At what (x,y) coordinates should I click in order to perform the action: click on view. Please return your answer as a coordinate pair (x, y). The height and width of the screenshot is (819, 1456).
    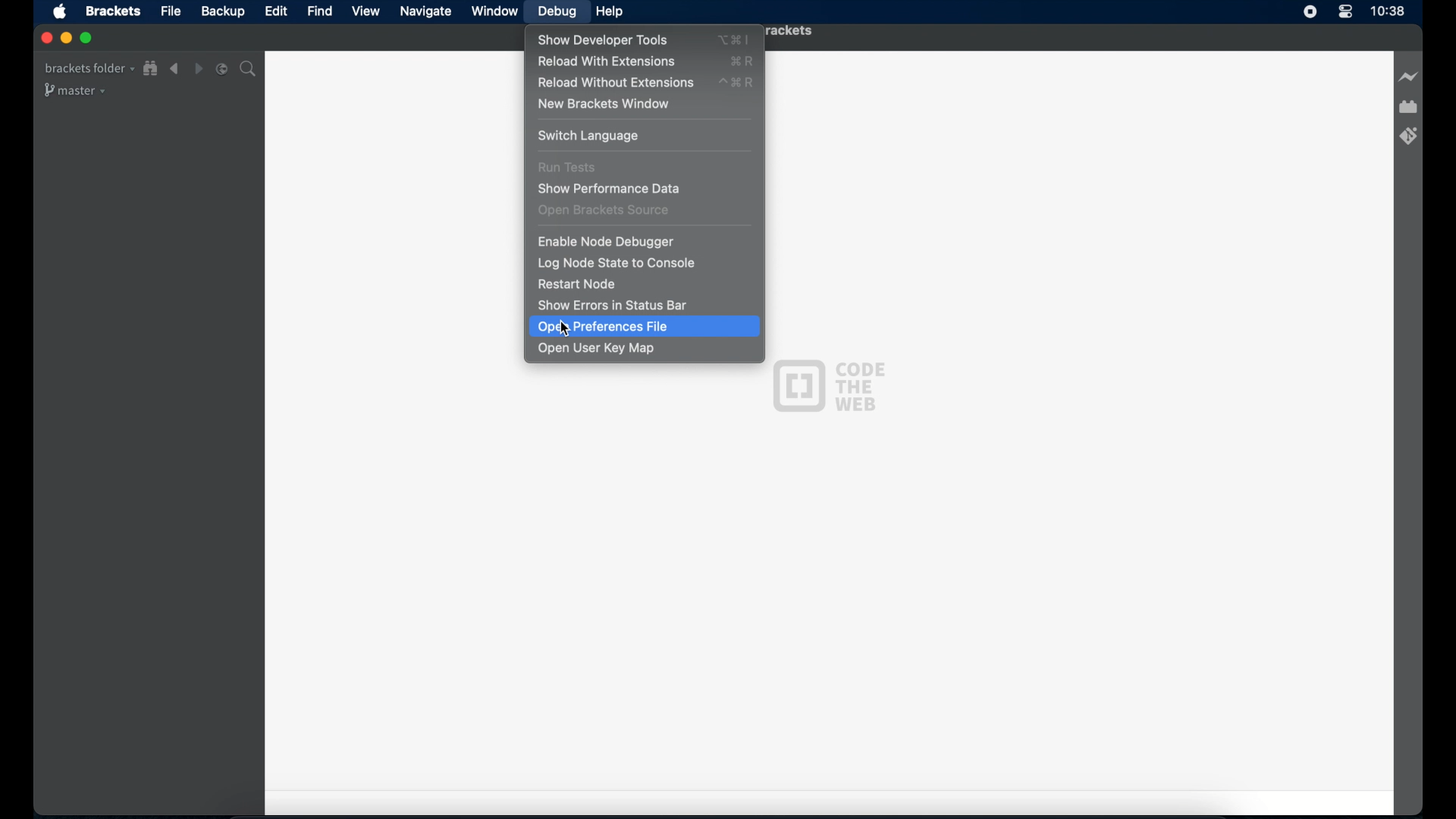
    Looking at the image, I should click on (366, 11).